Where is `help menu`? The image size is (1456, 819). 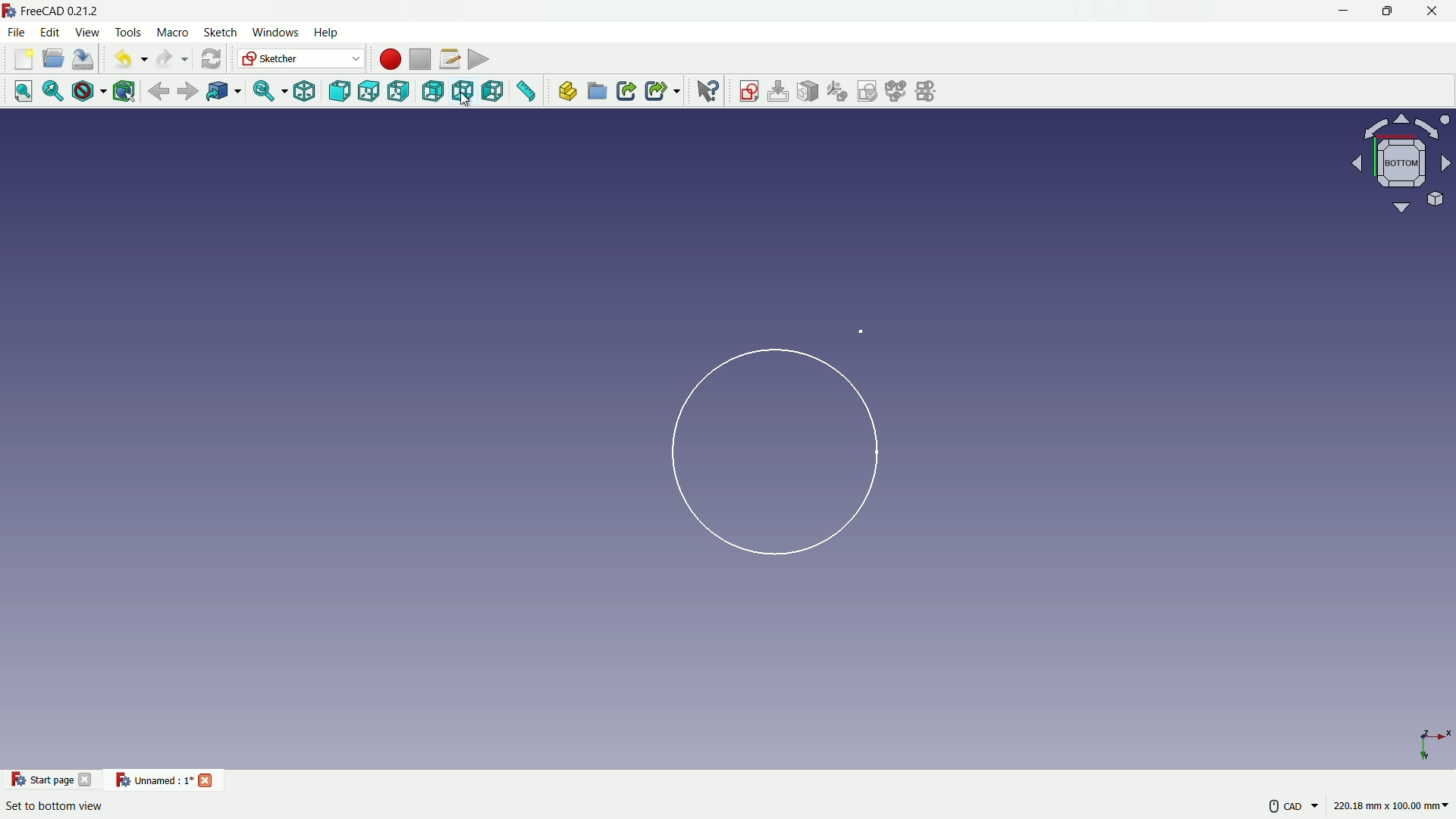 help menu is located at coordinates (327, 33).